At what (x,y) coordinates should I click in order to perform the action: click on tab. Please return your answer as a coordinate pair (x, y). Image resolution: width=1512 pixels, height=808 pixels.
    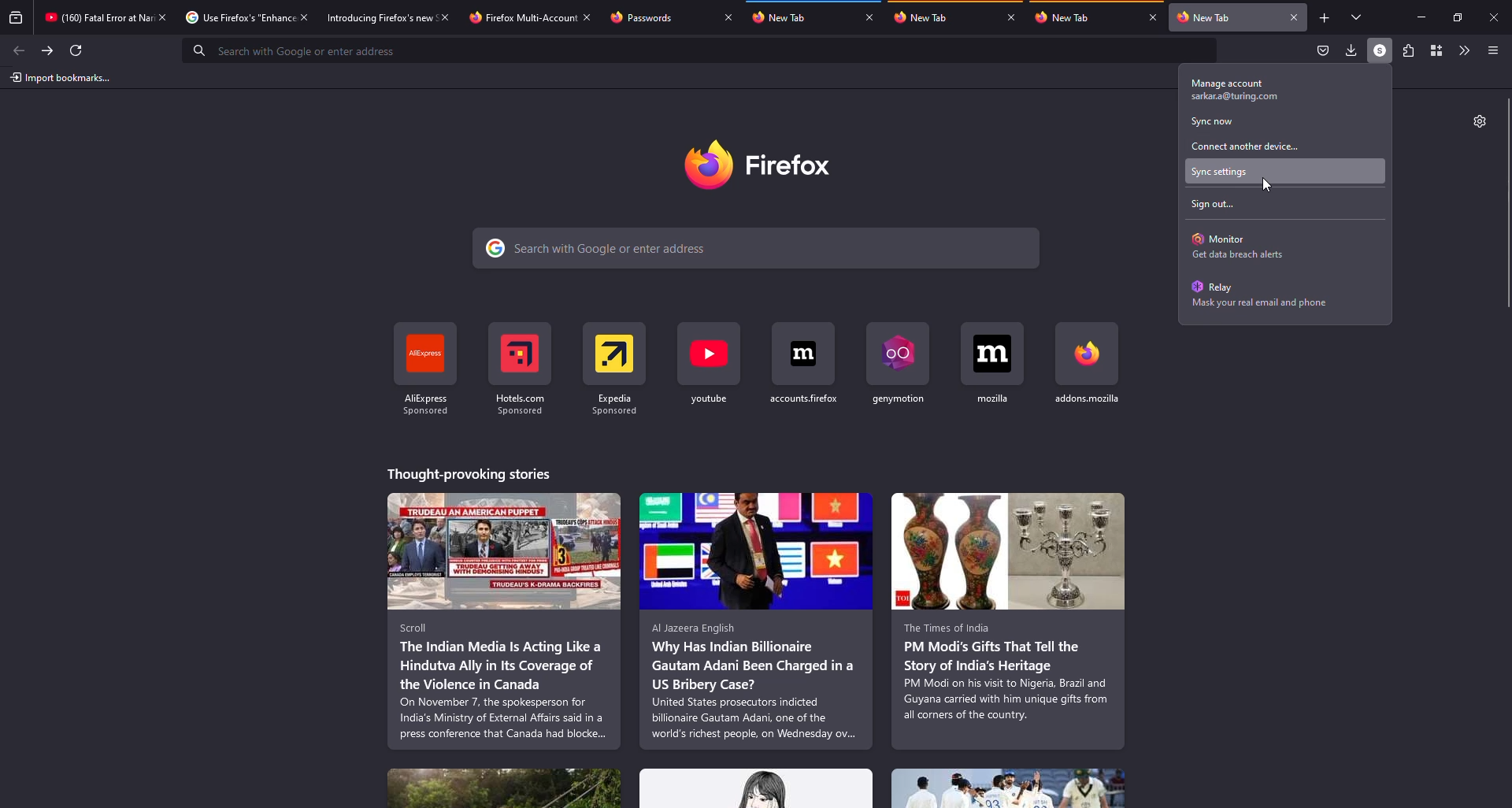
    Looking at the image, I should click on (1065, 18).